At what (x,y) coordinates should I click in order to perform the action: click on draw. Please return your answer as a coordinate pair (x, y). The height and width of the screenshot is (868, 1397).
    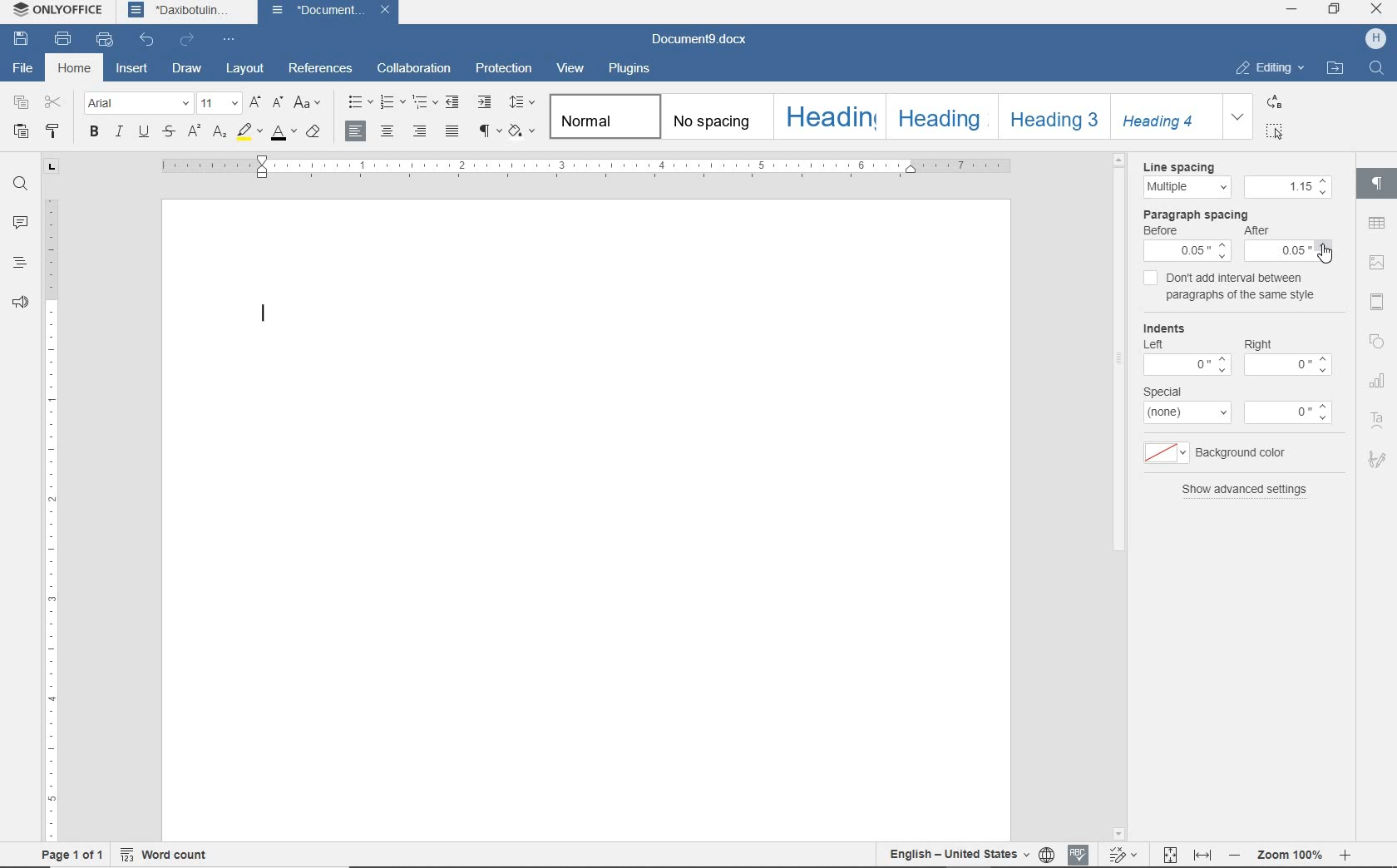
    Looking at the image, I should click on (190, 70).